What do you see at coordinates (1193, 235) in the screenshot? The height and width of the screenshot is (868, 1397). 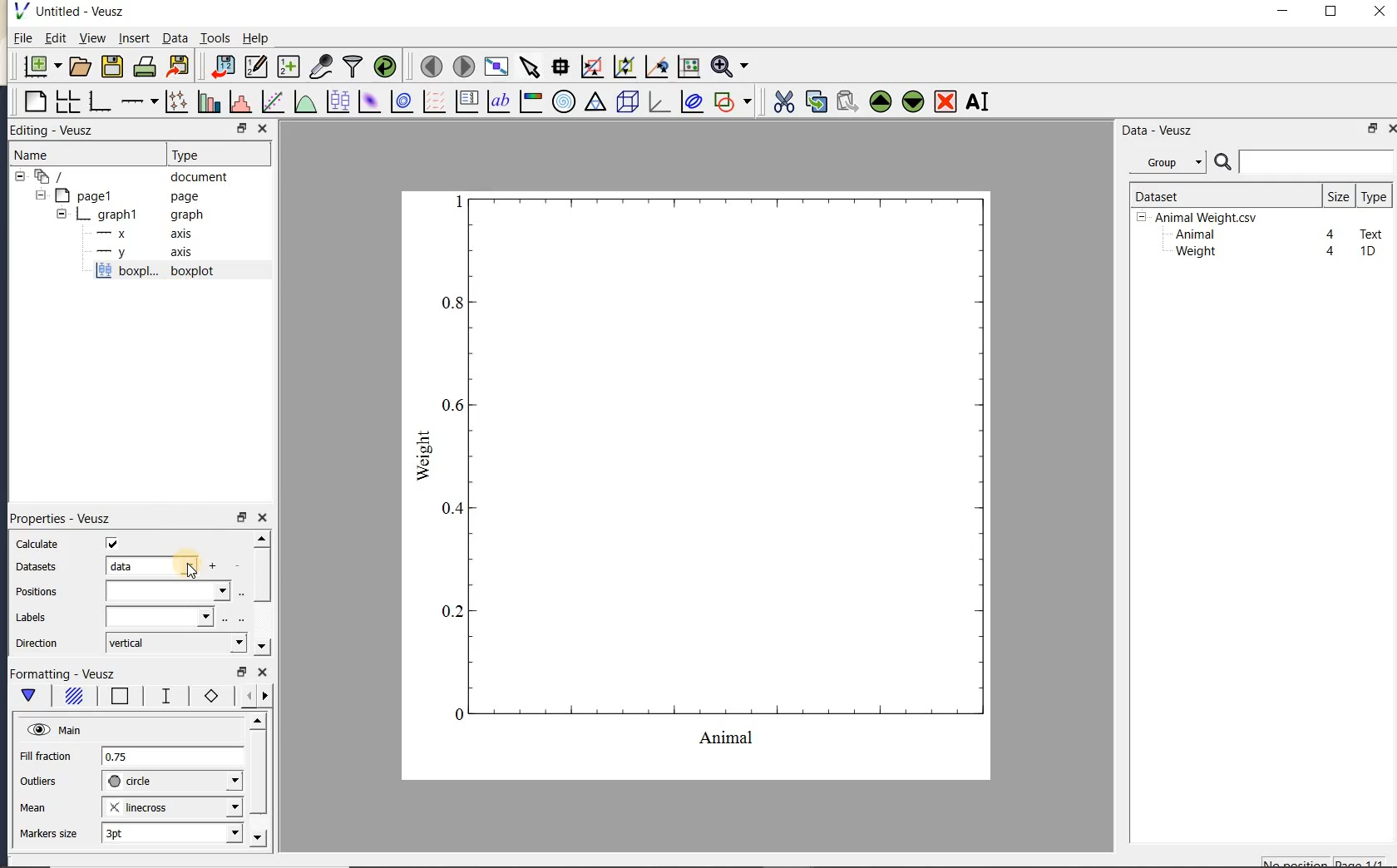 I see `Animal` at bounding box center [1193, 235].